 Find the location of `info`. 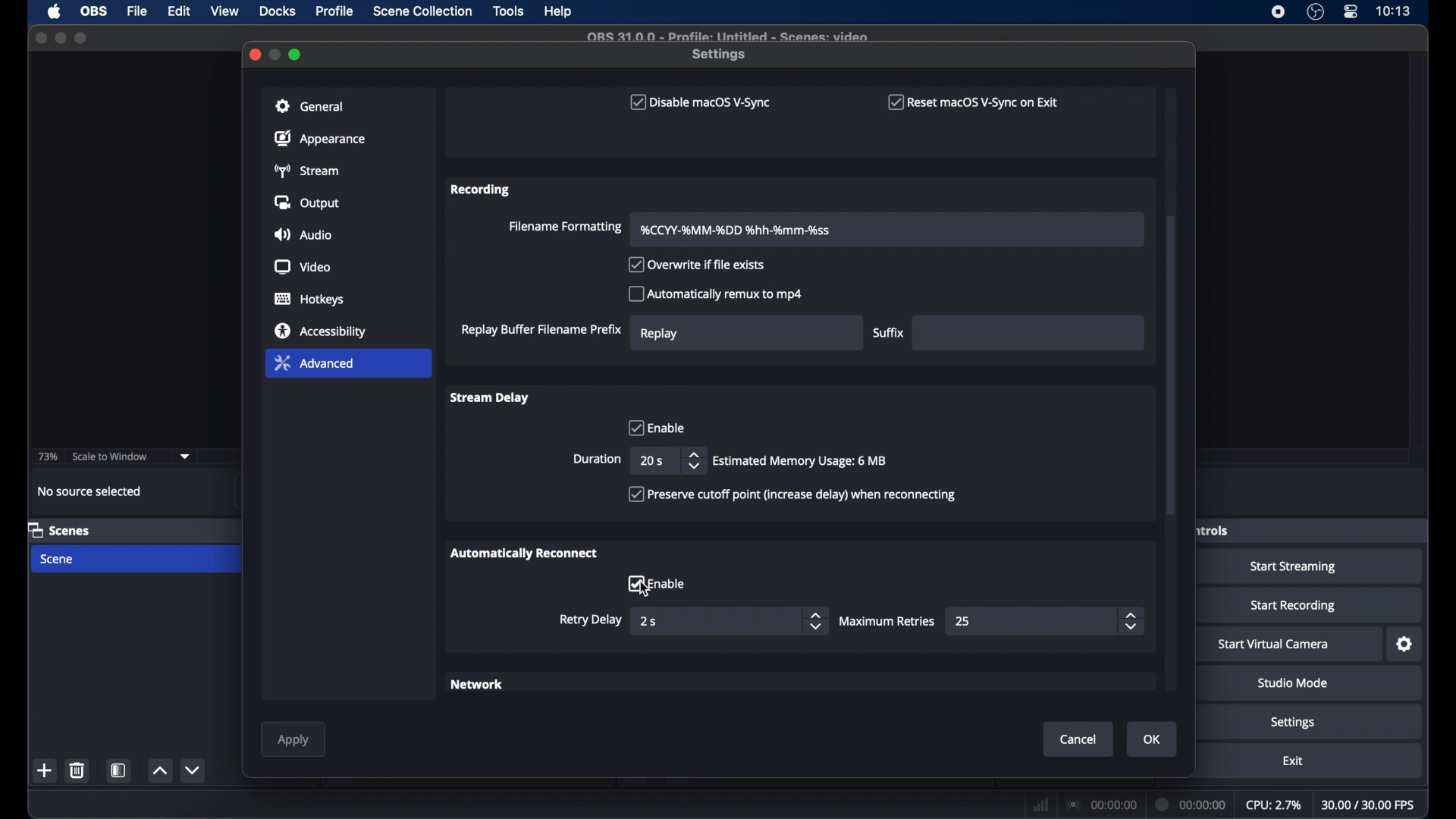

info is located at coordinates (801, 461).